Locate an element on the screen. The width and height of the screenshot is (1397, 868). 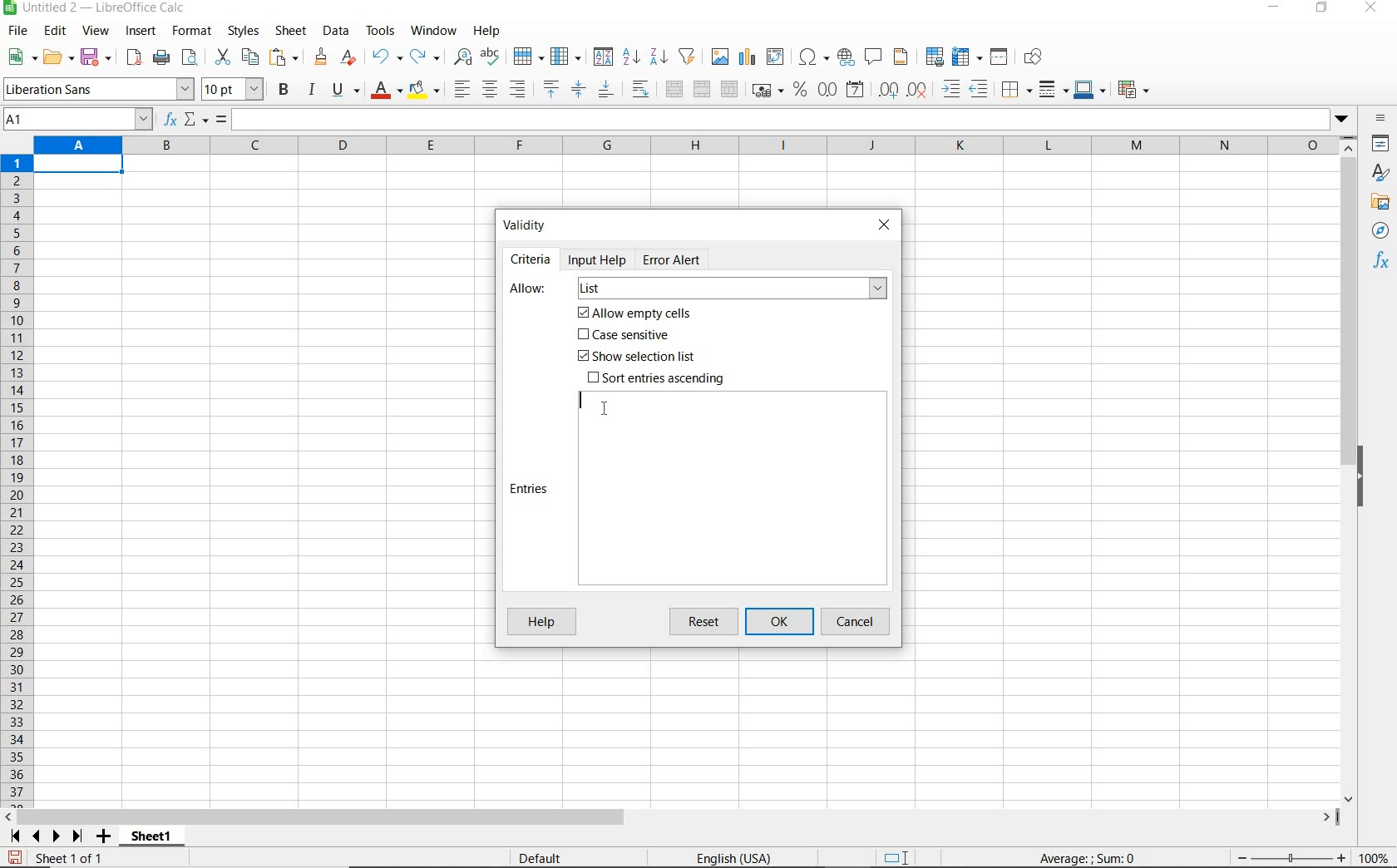
bold is located at coordinates (285, 89).